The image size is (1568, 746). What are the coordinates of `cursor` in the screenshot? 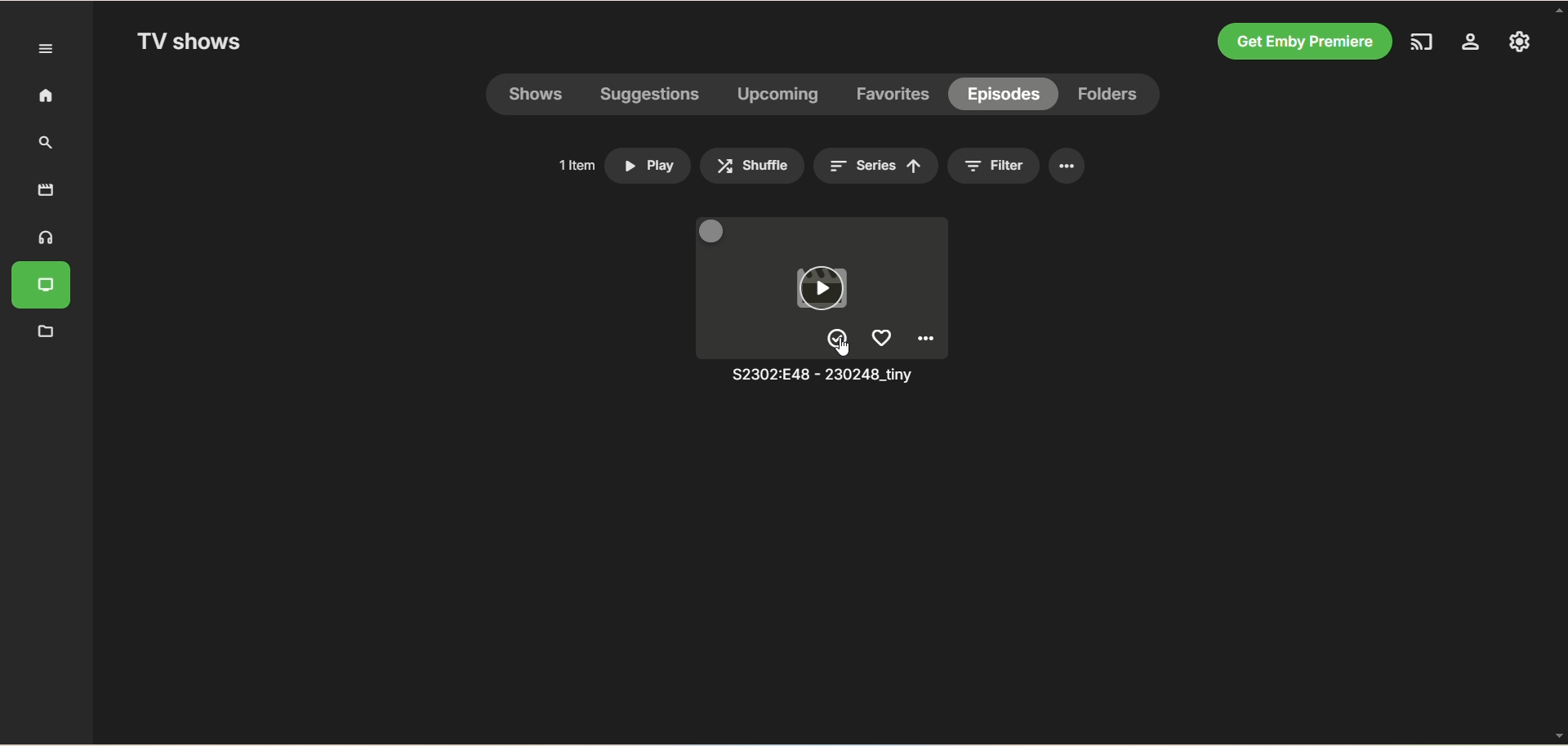 It's located at (844, 347).